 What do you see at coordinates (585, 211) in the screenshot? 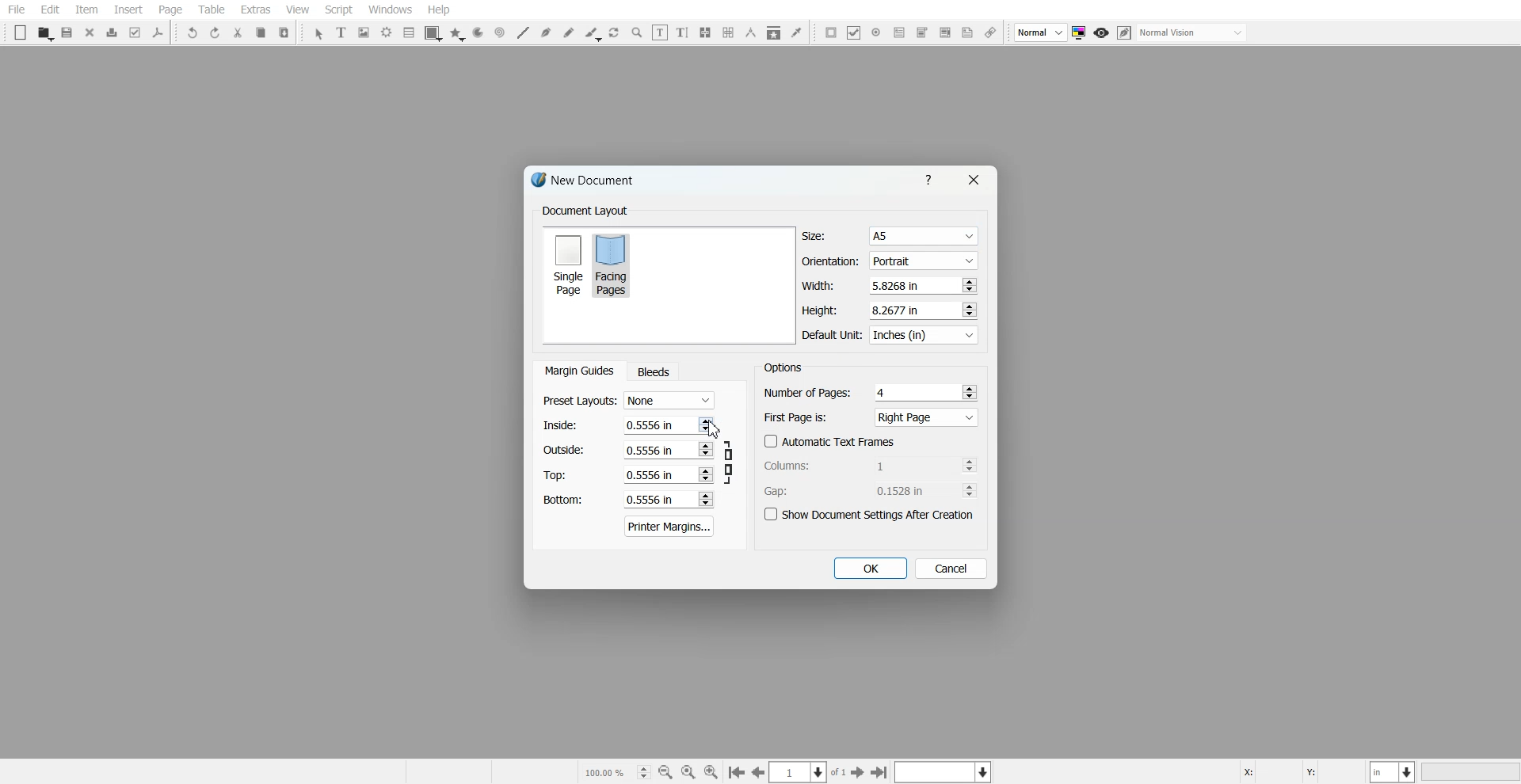
I see `Text` at bounding box center [585, 211].